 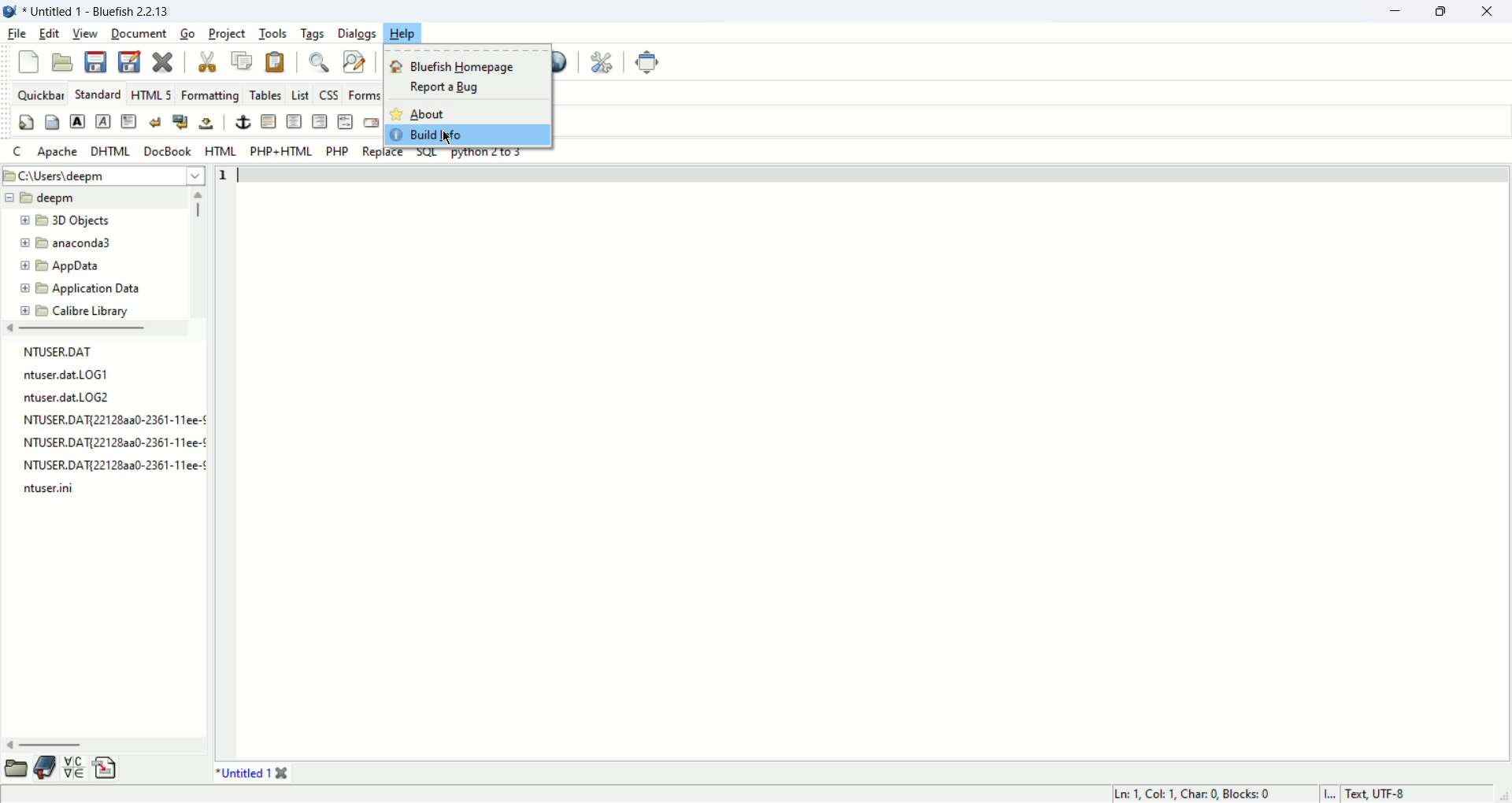 What do you see at coordinates (86, 288) in the screenshot?
I see `folder name` at bounding box center [86, 288].